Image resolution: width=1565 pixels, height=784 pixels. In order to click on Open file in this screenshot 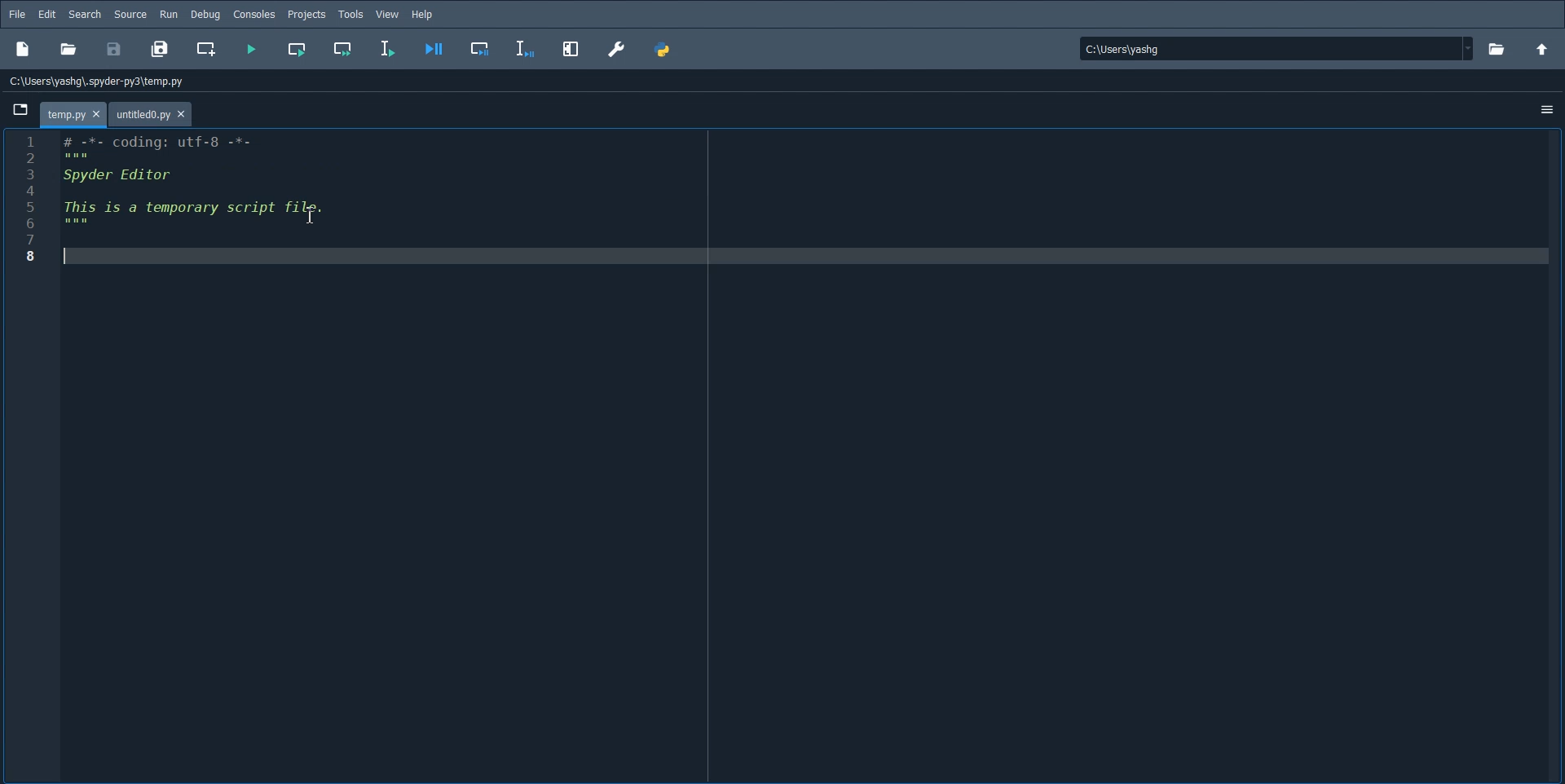, I will do `click(1498, 47)`.